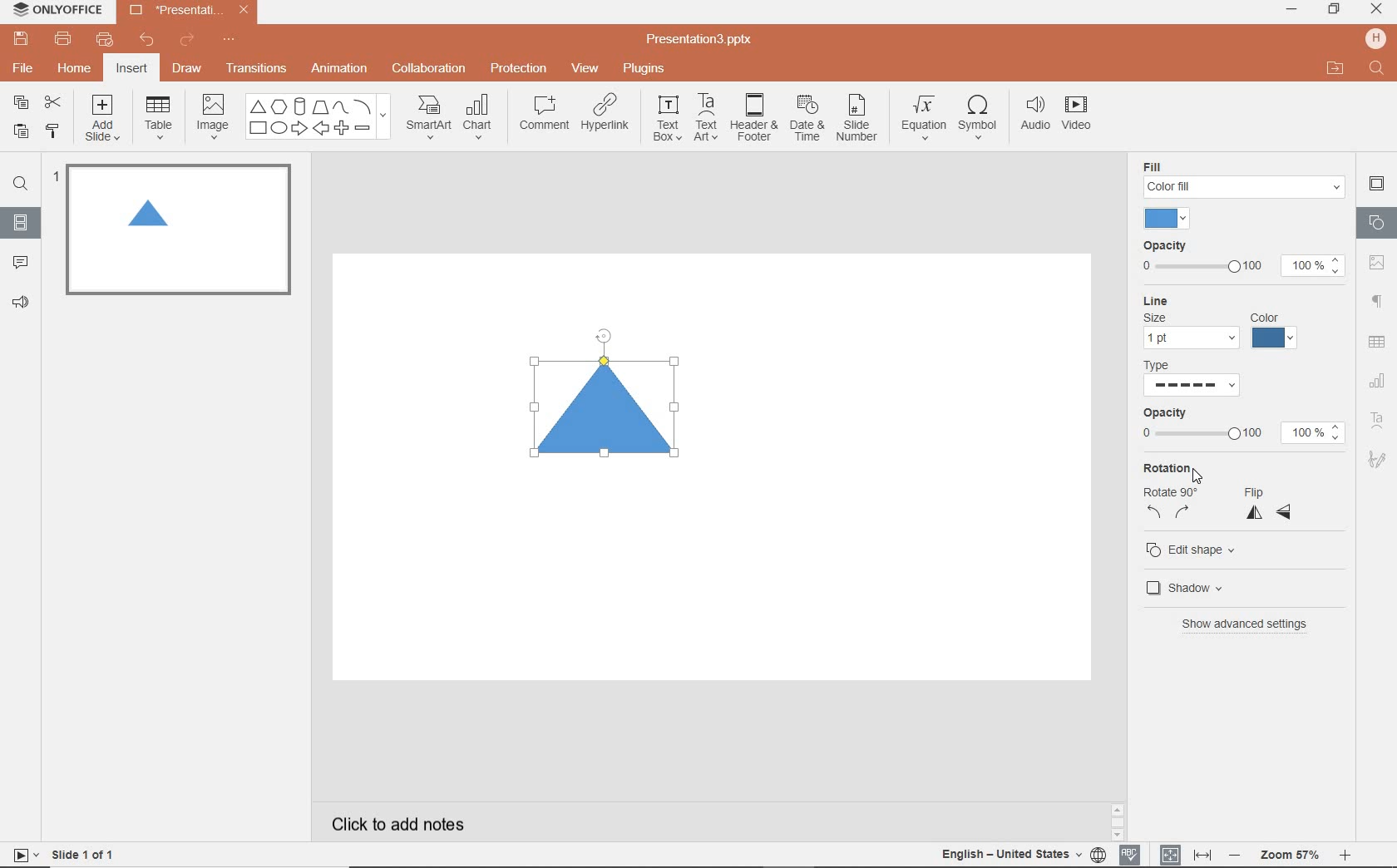 The width and height of the screenshot is (1397, 868). What do you see at coordinates (1345, 857) in the screenshot?
I see `zoom in` at bounding box center [1345, 857].